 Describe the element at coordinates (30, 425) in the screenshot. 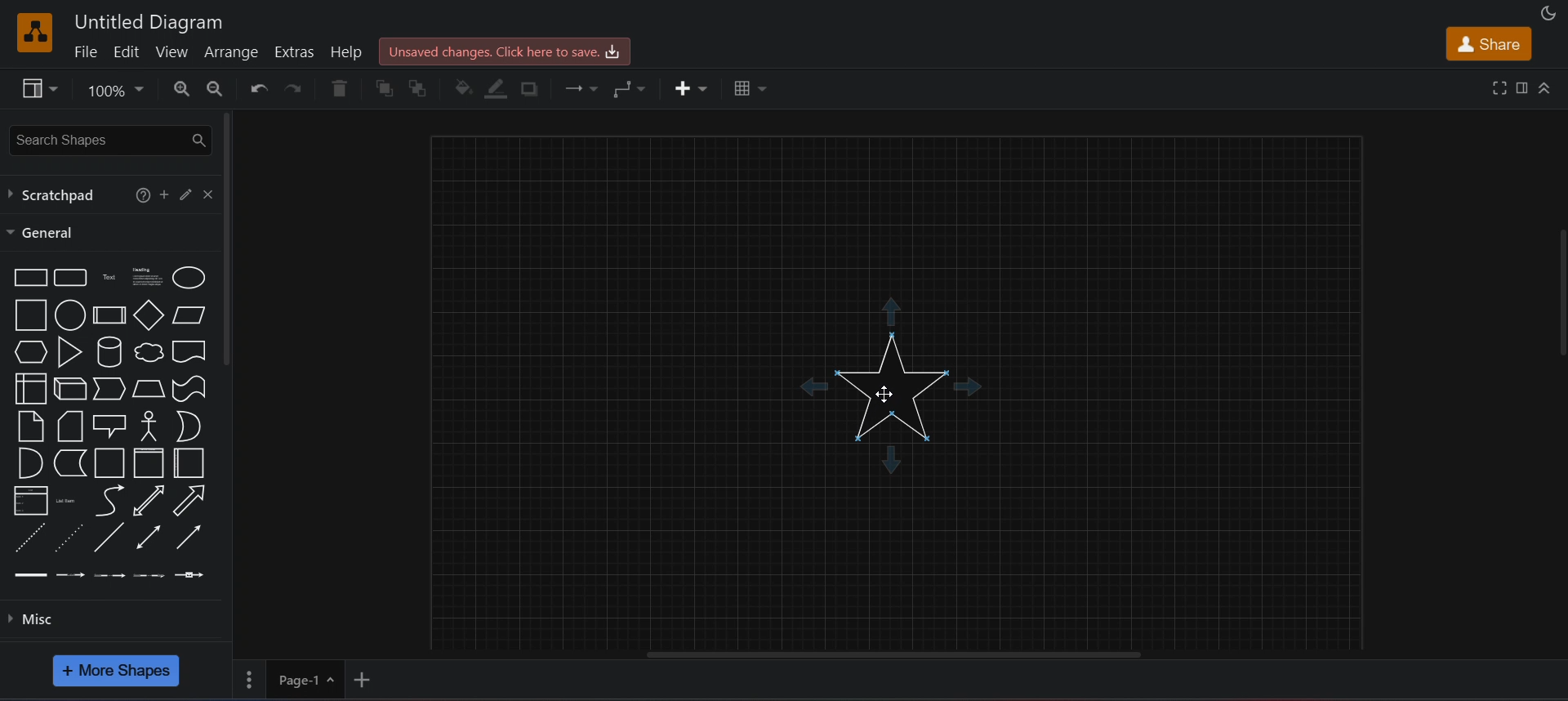

I see `note` at that location.